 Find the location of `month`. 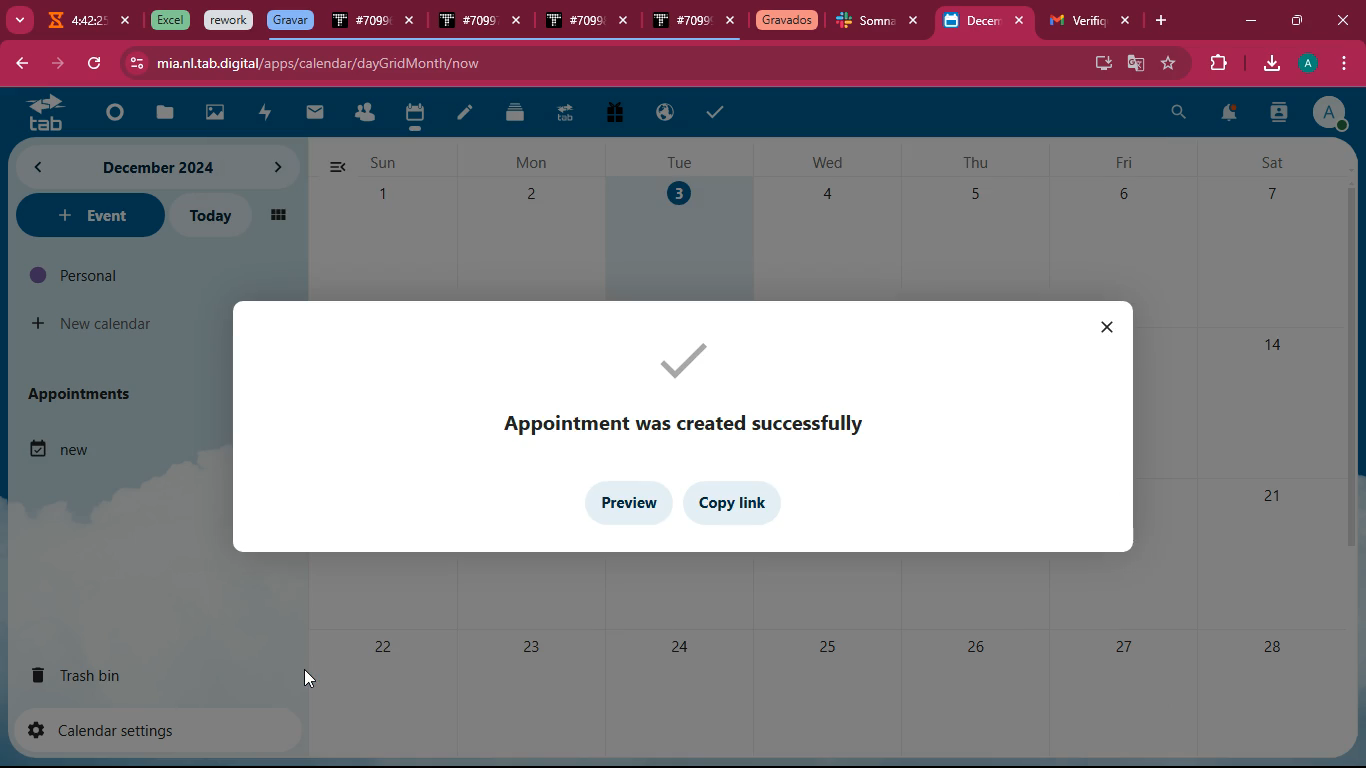

month is located at coordinates (120, 167).